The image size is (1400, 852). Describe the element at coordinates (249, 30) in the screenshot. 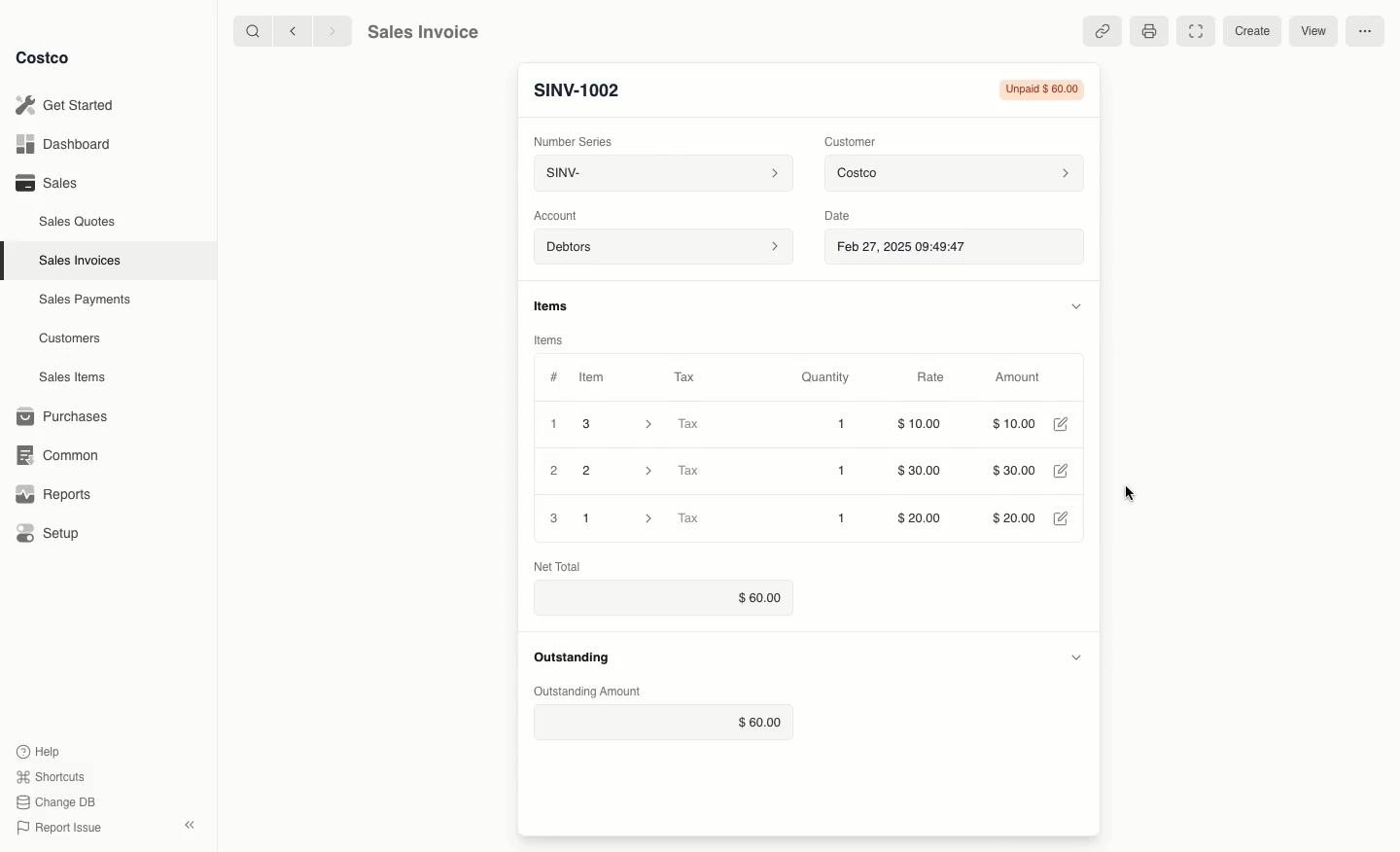

I see `search` at that location.